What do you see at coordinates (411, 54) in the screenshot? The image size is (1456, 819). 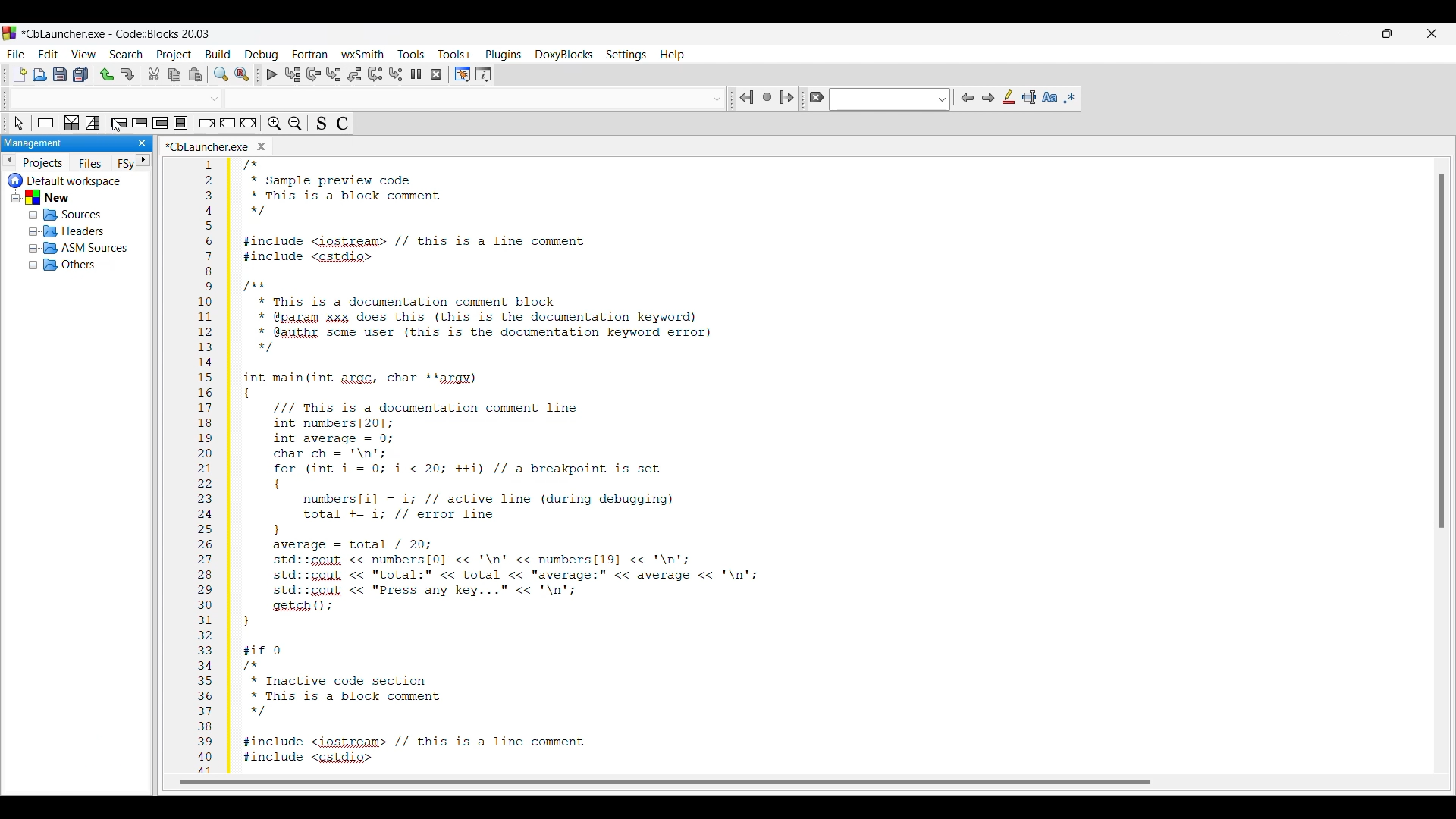 I see `Tools menu` at bounding box center [411, 54].